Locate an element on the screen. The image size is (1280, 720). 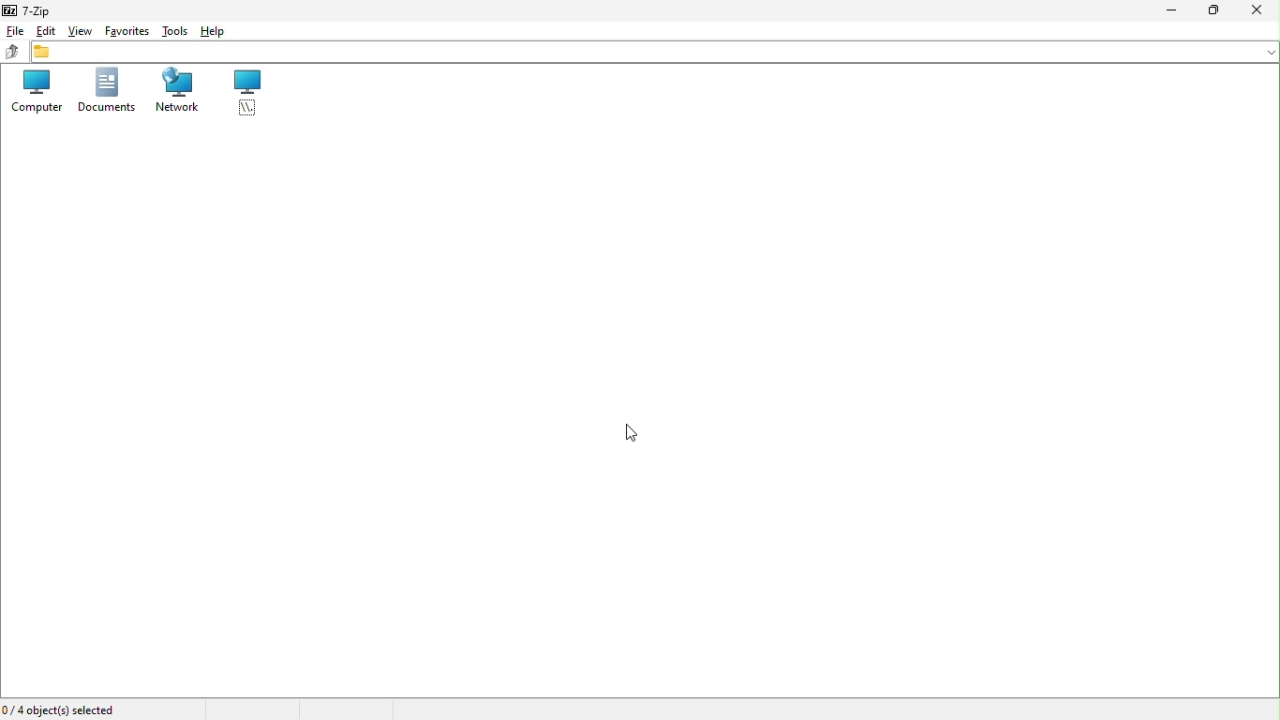
Edit is located at coordinates (45, 31).